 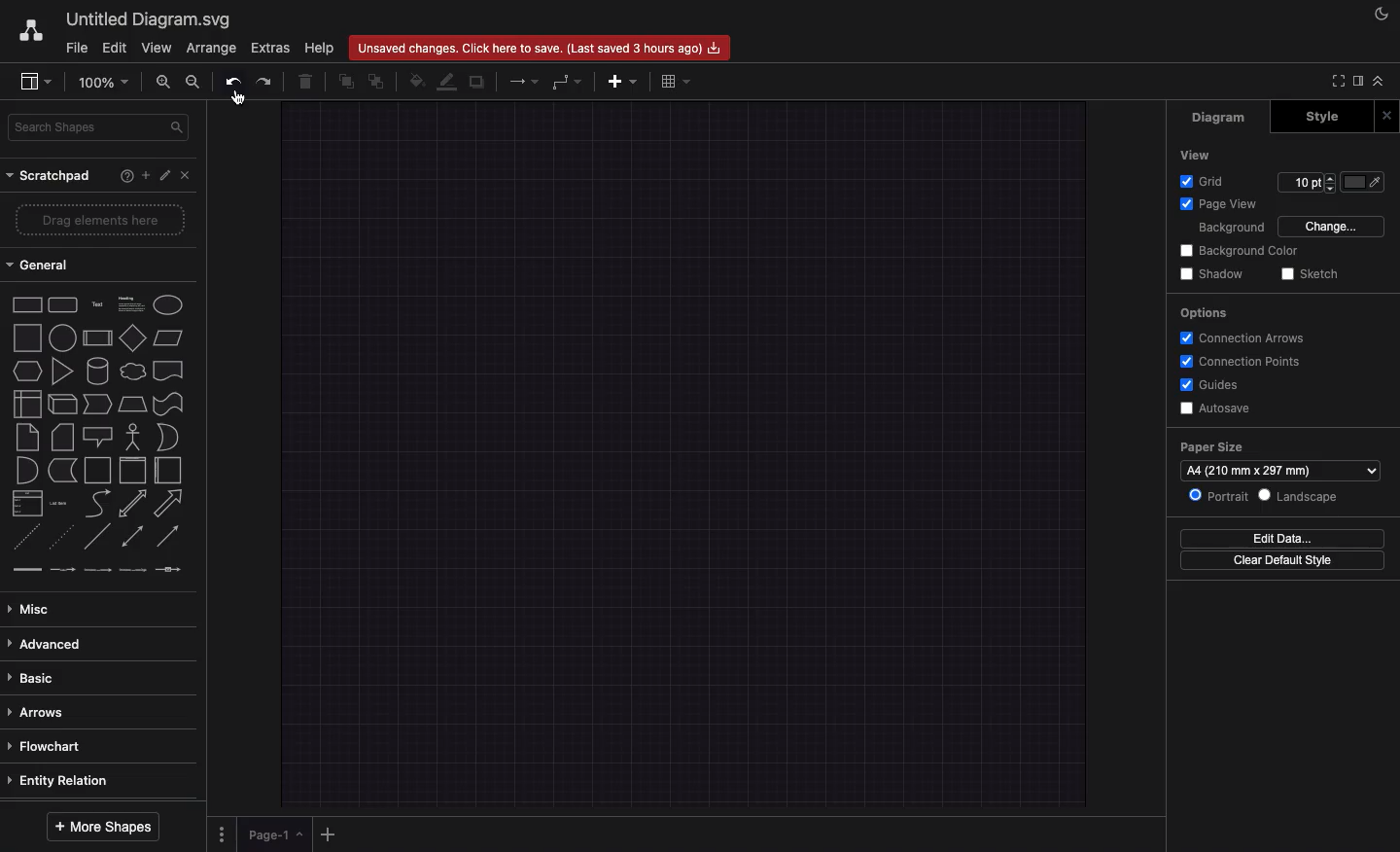 What do you see at coordinates (1218, 408) in the screenshot?
I see `Autosave` at bounding box center [1218, 408].